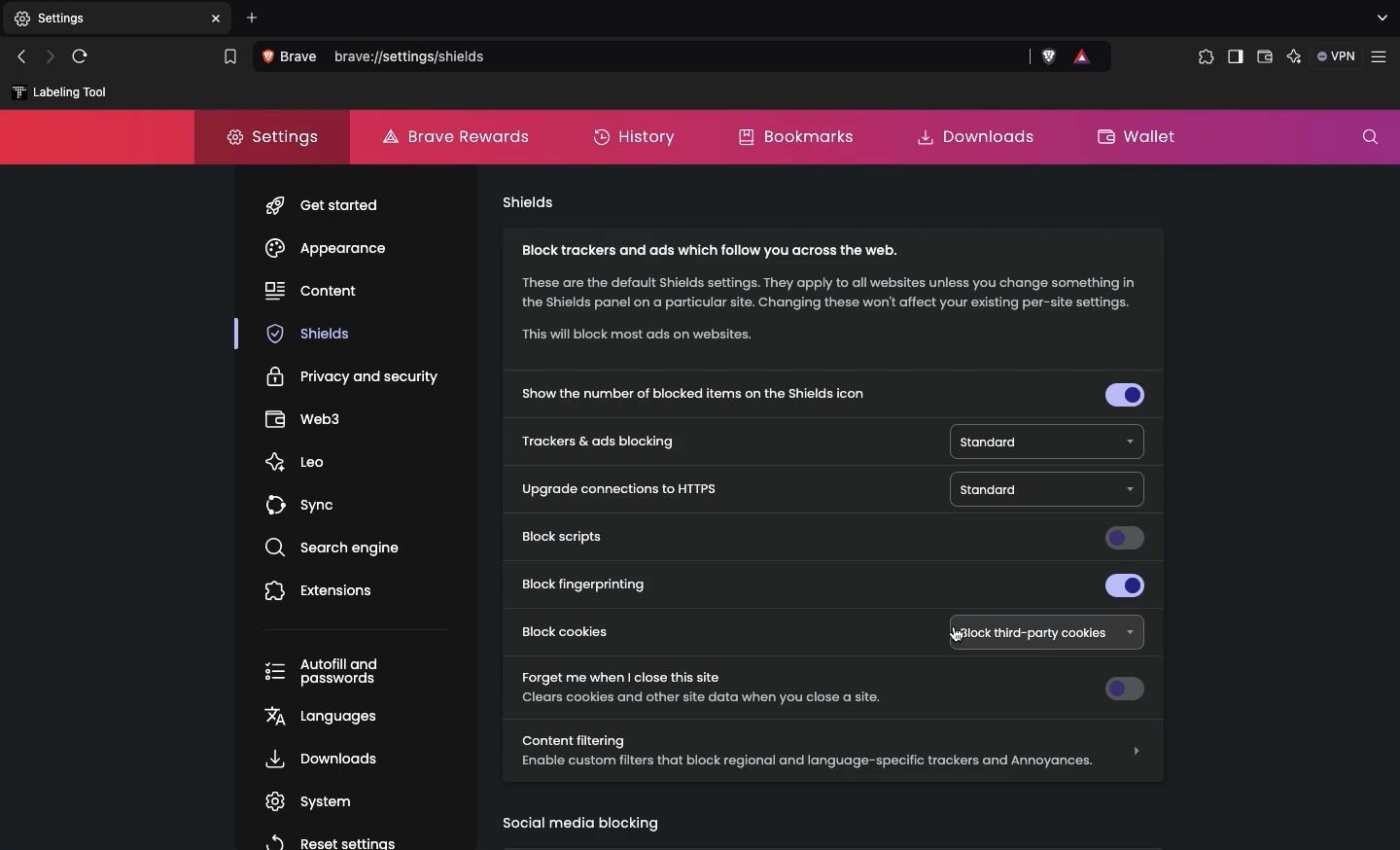 The height and width of the screenshot is (850, 1400). Describe the element at coordinates (80, 57) in the screenshot. I see `Refresh page` at that location.